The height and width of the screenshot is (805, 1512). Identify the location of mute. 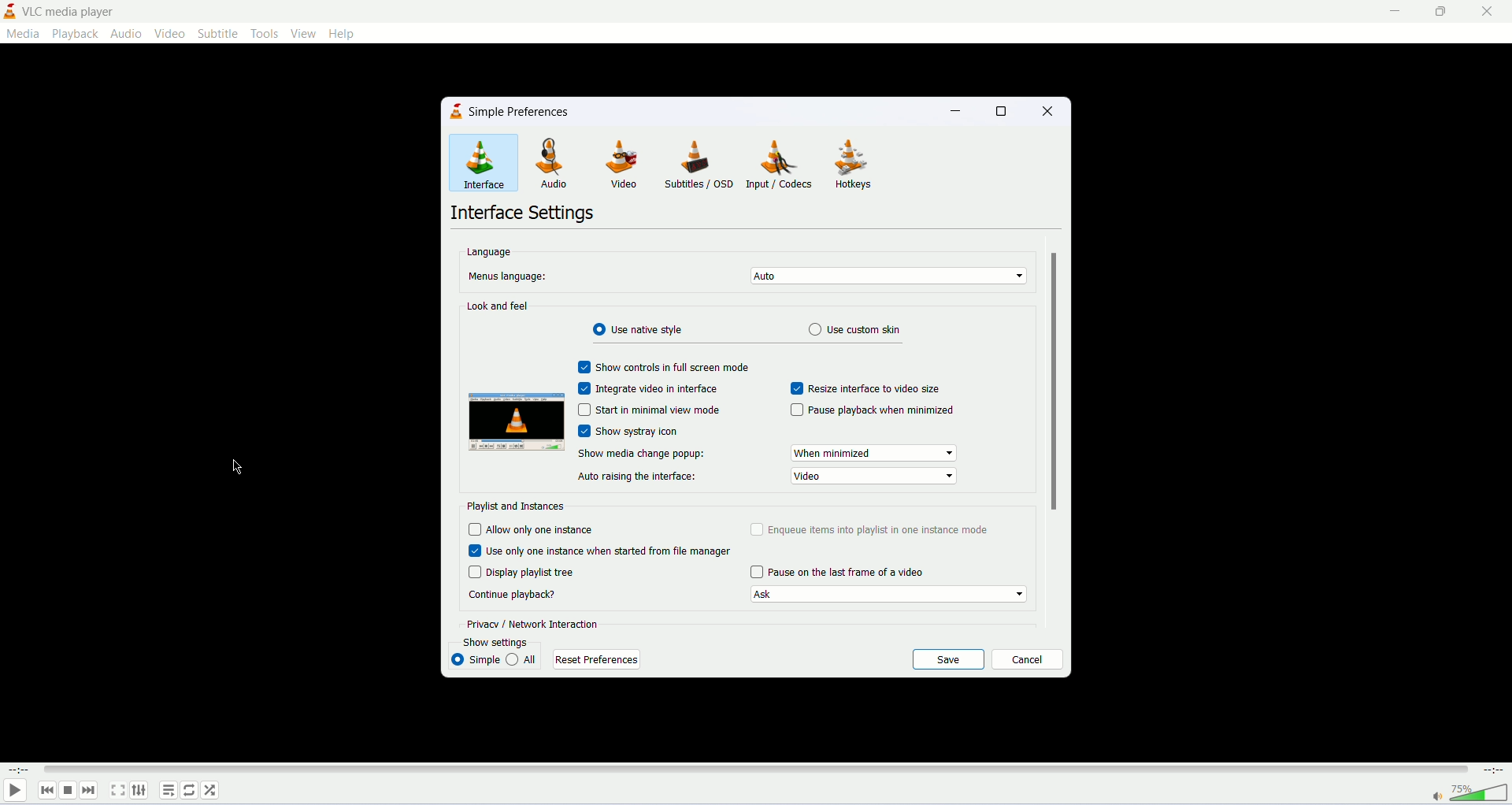
(1440, 798).